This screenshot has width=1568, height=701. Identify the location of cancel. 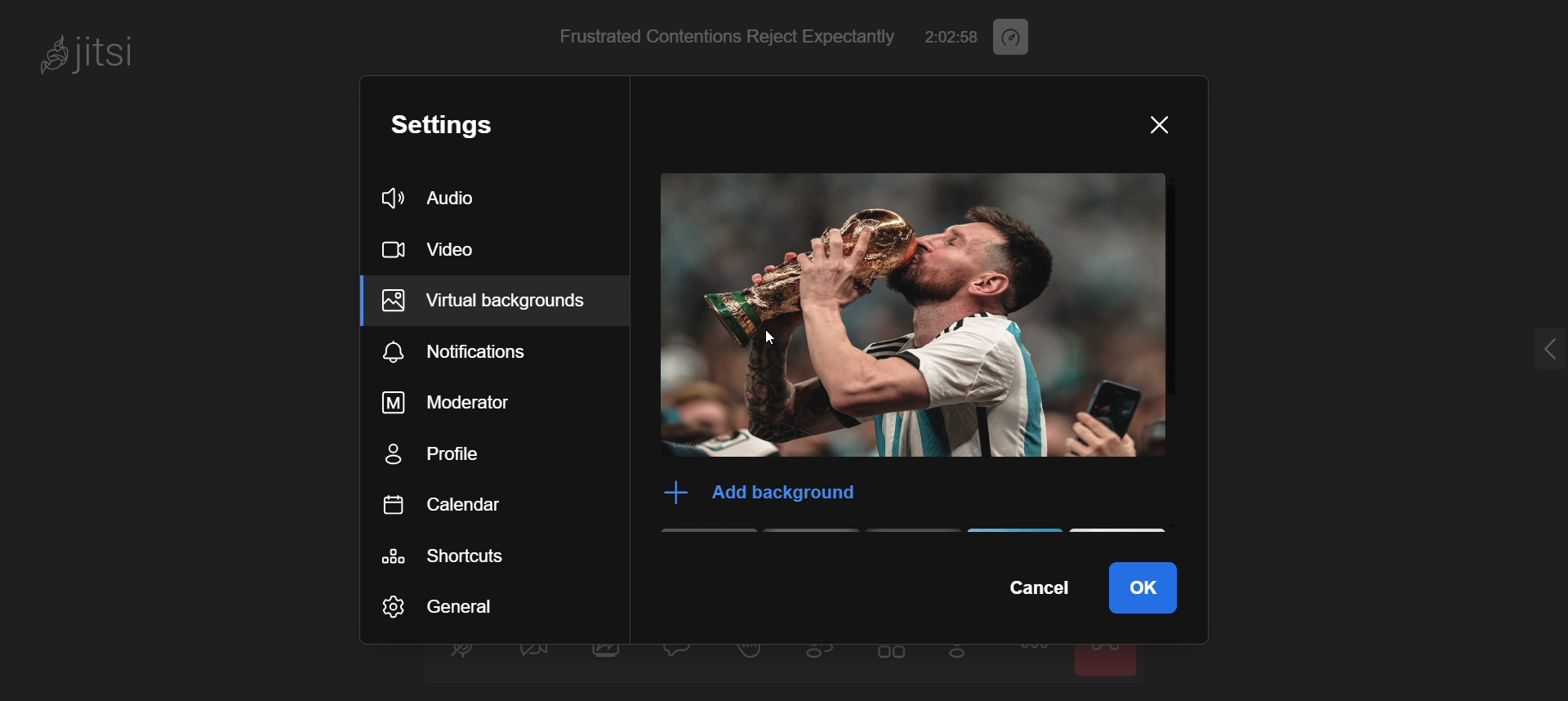
(1035, 589).